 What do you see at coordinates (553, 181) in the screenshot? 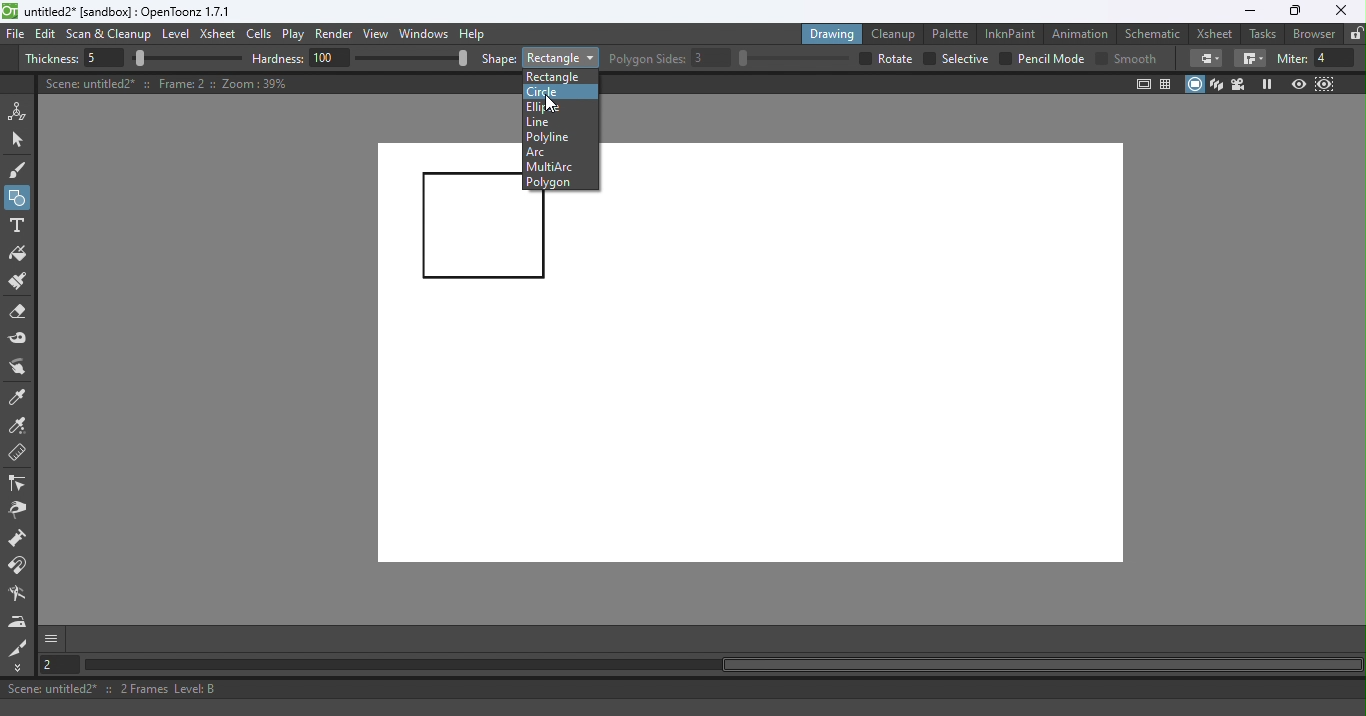
I see `Polygon` at bounding box center [553, 181].